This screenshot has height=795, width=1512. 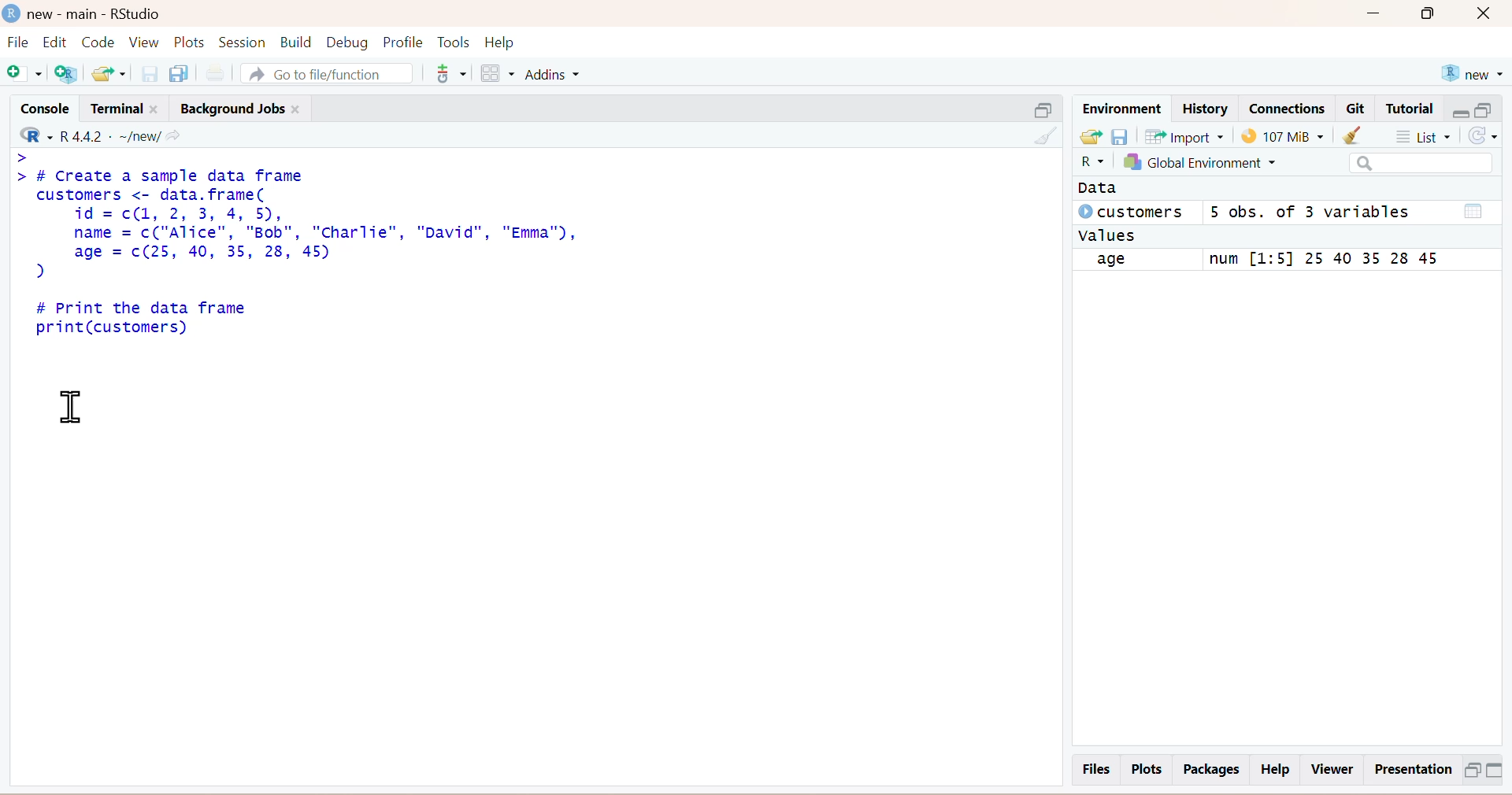 What do you see at coordinates (1283, 135) in the screenshot?
I see `107 MB` at bounding box center [1283, 135].